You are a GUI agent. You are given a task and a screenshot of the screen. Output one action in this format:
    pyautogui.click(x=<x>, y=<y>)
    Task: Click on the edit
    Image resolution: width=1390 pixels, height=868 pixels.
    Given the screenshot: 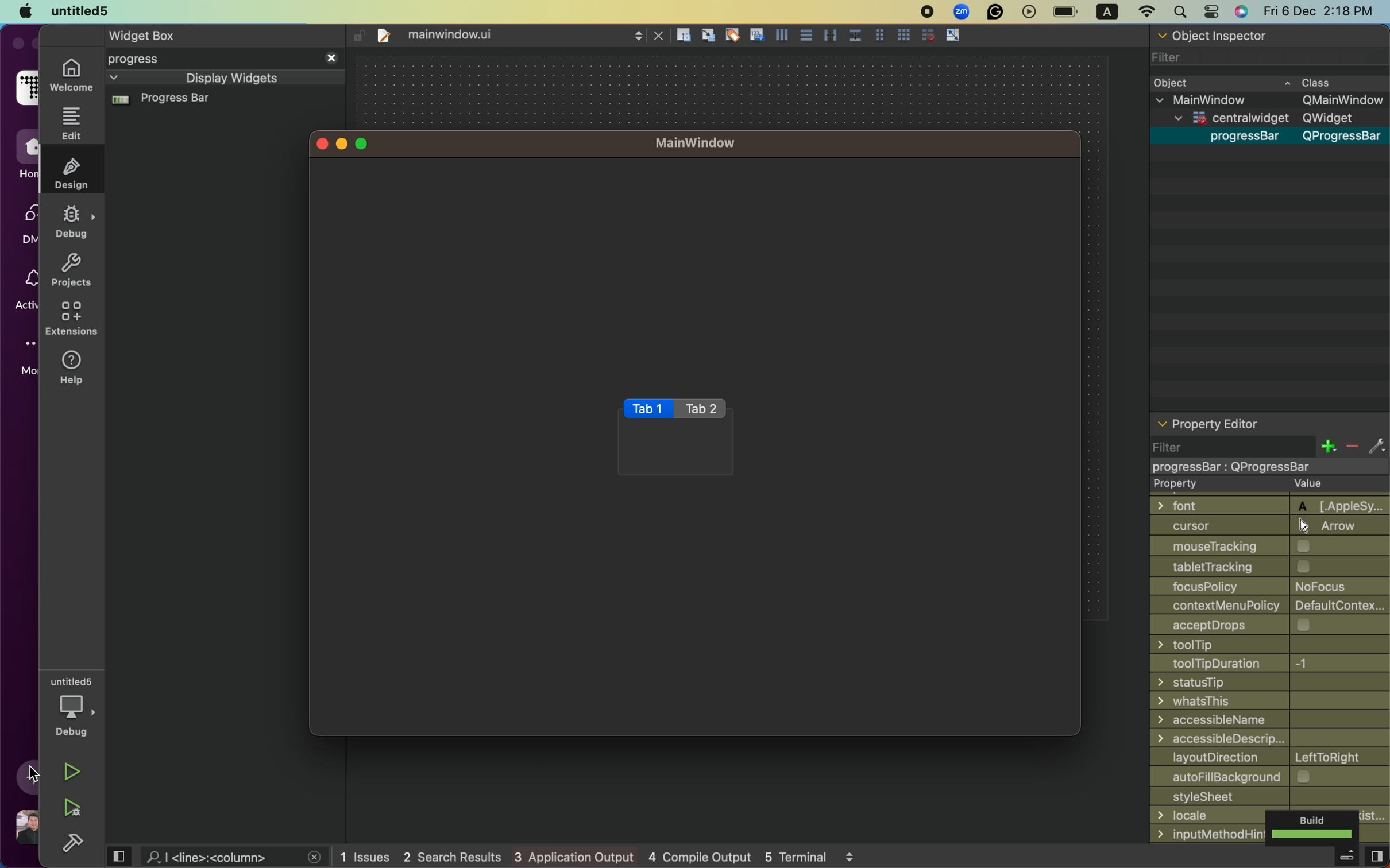 What is the action you would take?
    pyautogui.click(x=72, y=123)
    